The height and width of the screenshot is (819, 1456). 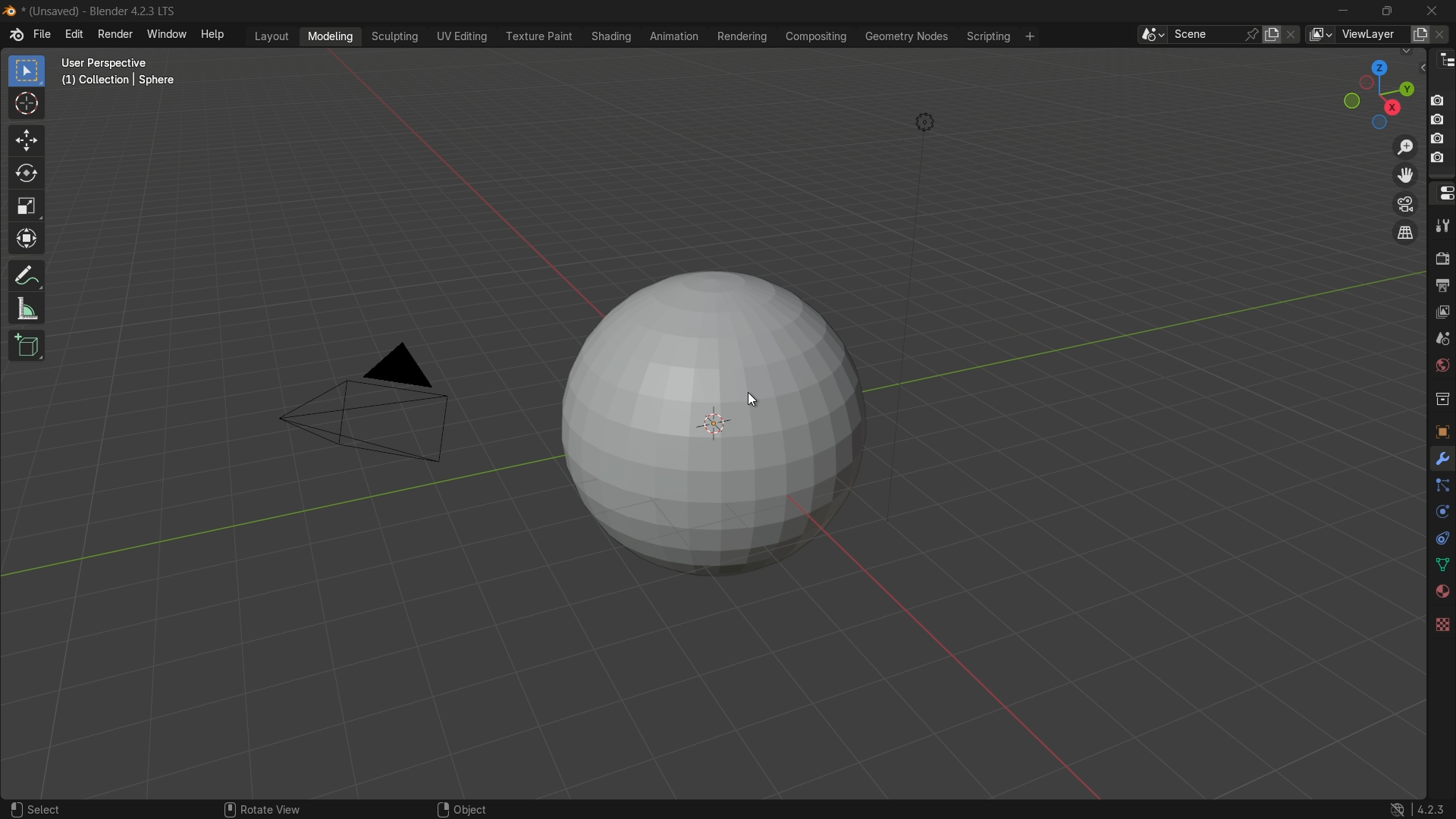 What do you see at coordinates (27, 104) in the screenshot?
I see `cursor` at bounding box center [27, 104].